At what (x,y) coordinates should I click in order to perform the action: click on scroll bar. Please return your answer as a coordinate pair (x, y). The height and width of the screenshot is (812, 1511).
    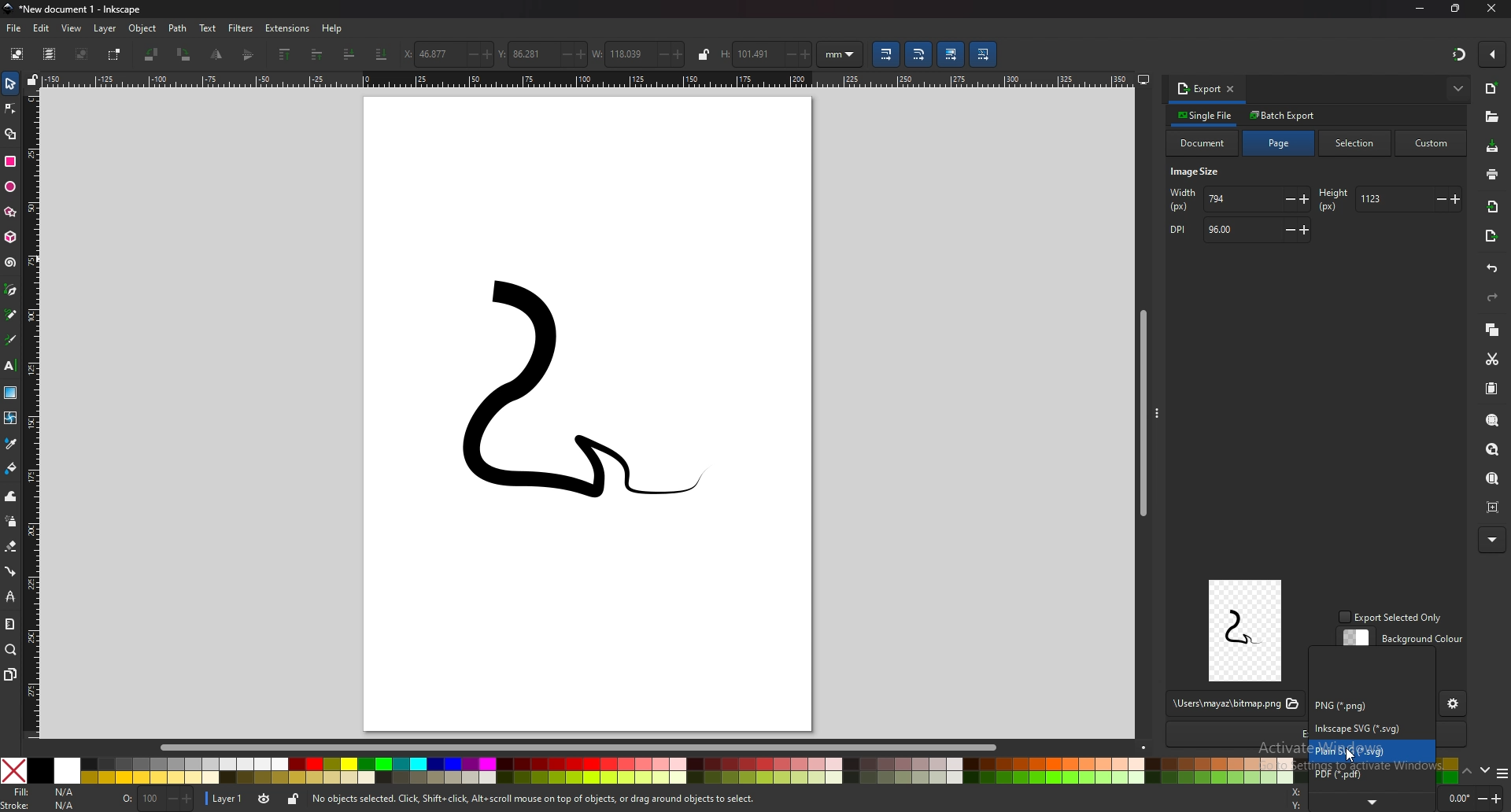
    Looking at the image, I should click on (1140, 410).